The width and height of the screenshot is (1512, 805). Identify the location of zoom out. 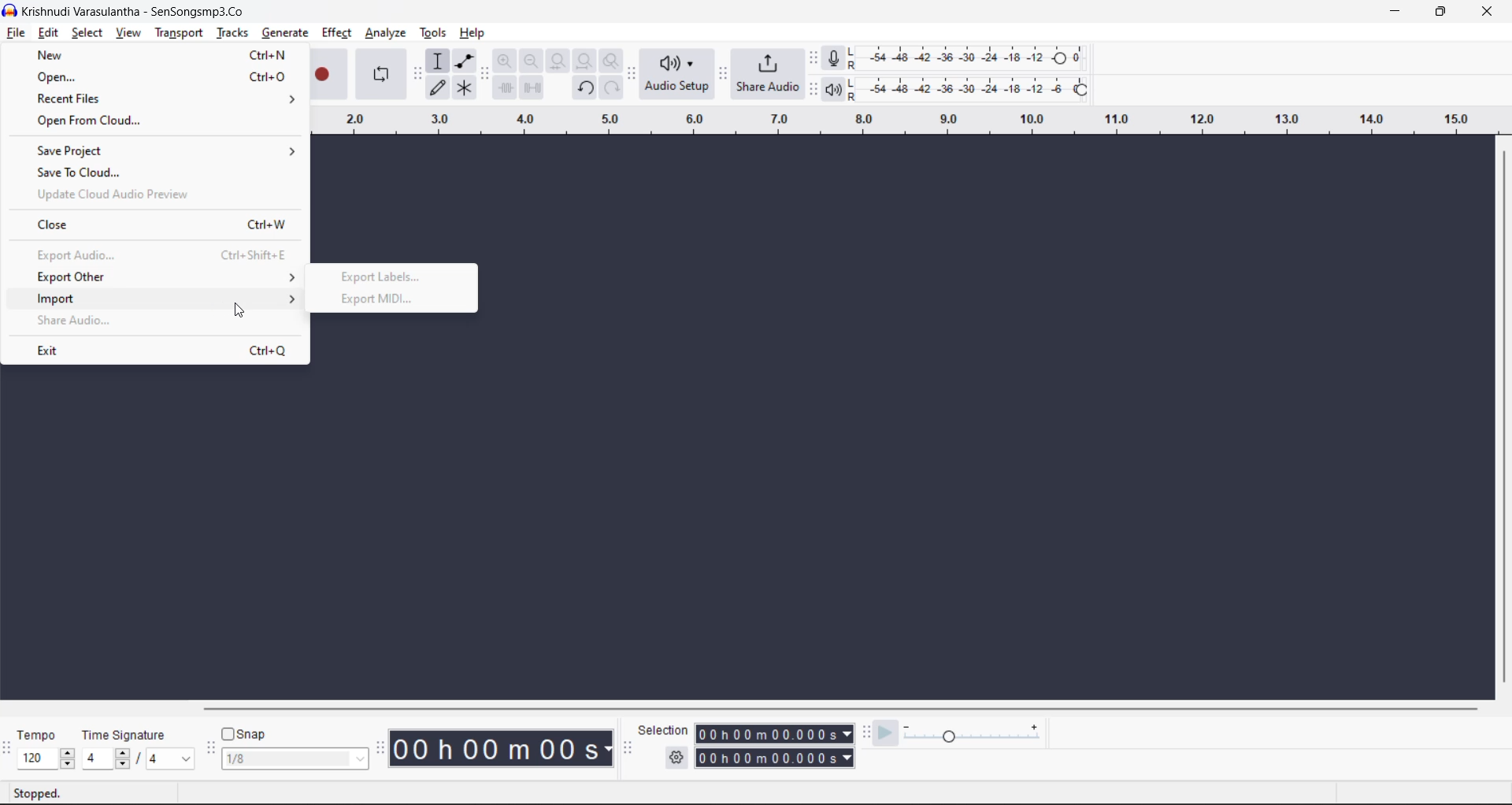
(531, 60).